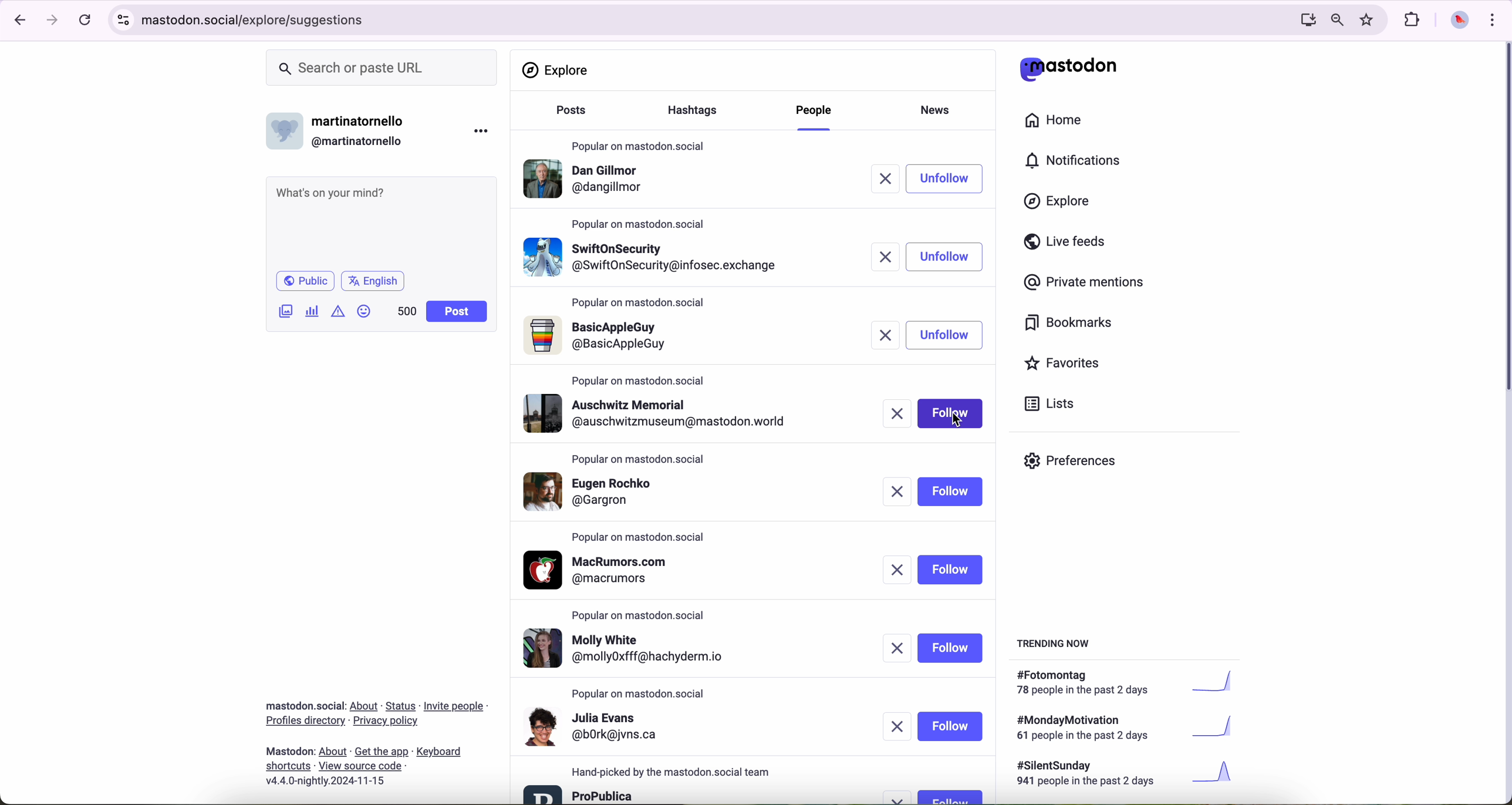  Describe the element at coordinates (558, 70) in the screenshot. I see `explore section` at that location.